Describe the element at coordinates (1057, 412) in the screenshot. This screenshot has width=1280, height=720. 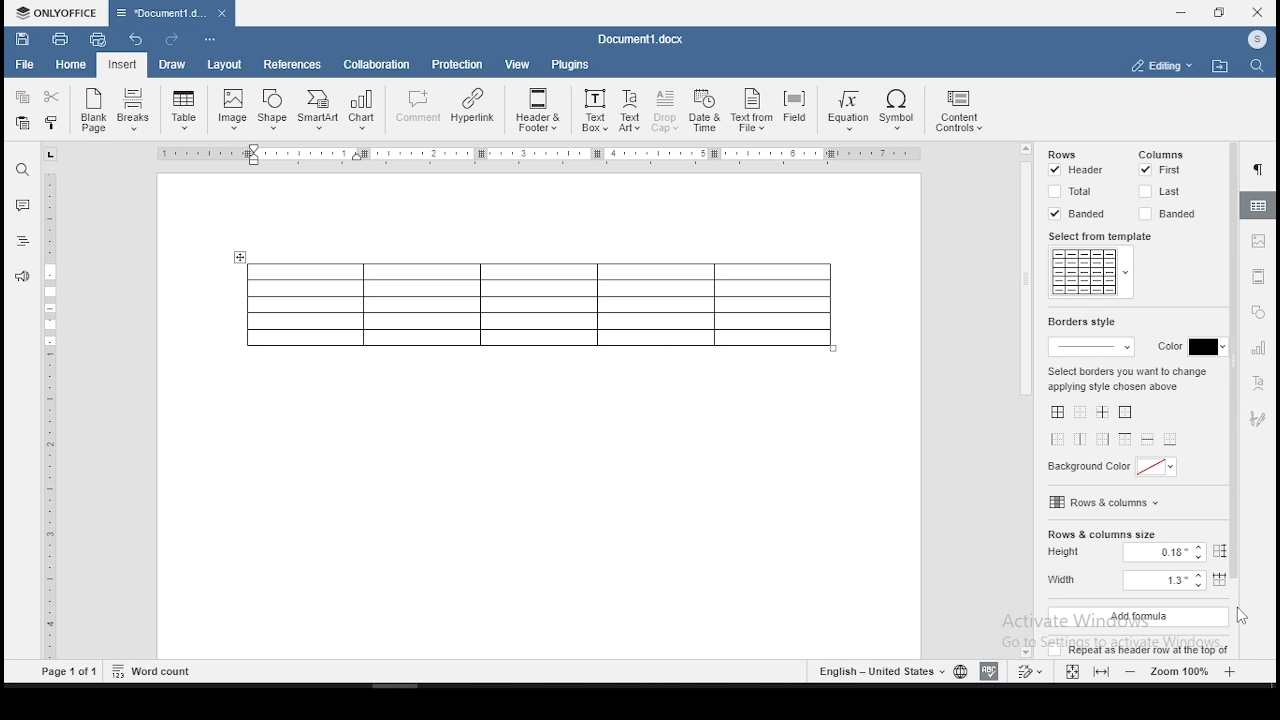
I see `all borders` at that location.